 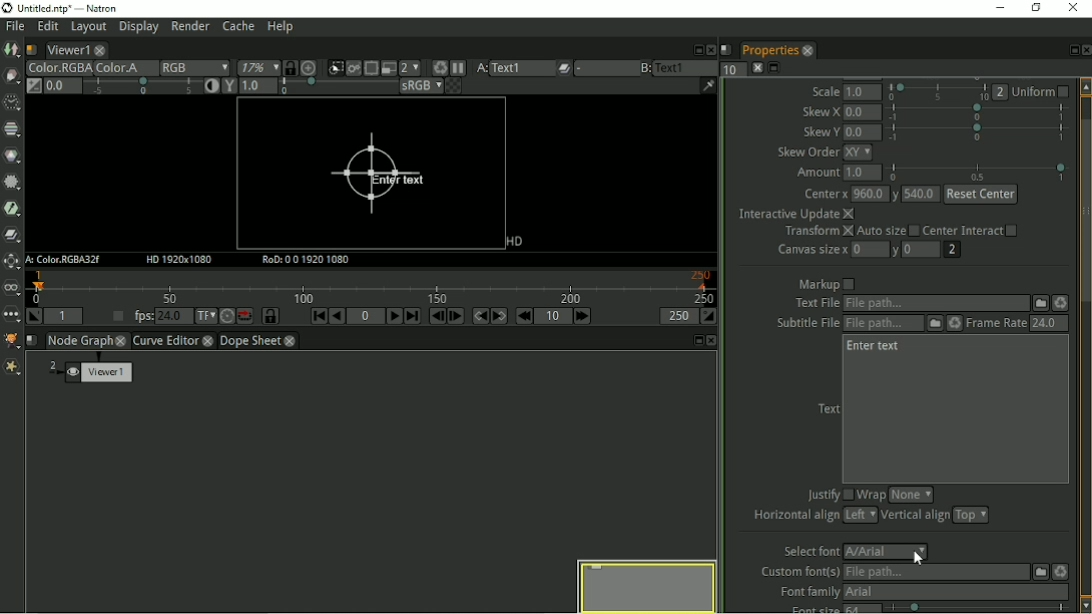 I want to click on Display, so click(x=138, y=29).